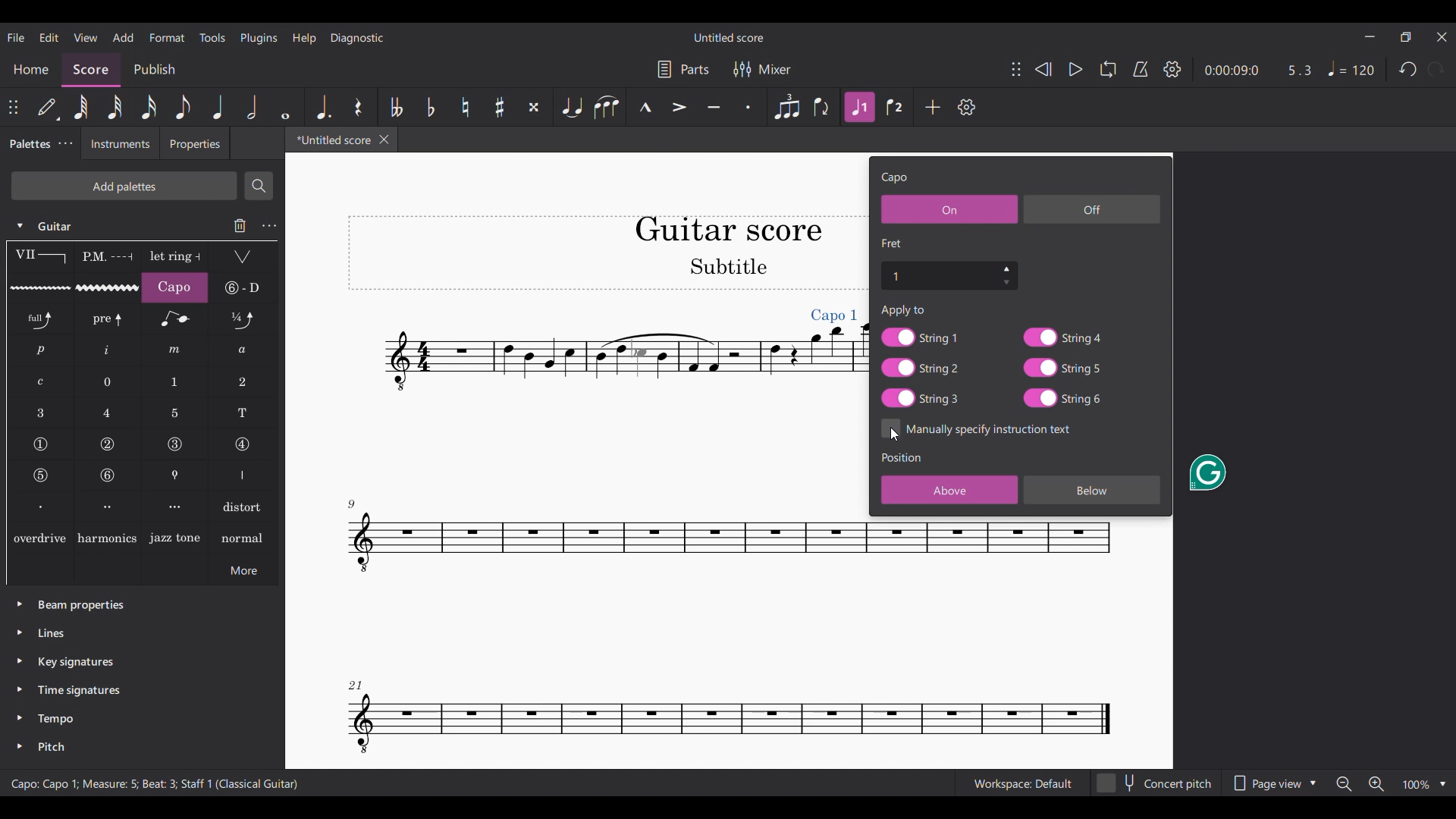 The height and width of the screenshot is (819, 1456). I want to click on Publish, so click(155, 71).